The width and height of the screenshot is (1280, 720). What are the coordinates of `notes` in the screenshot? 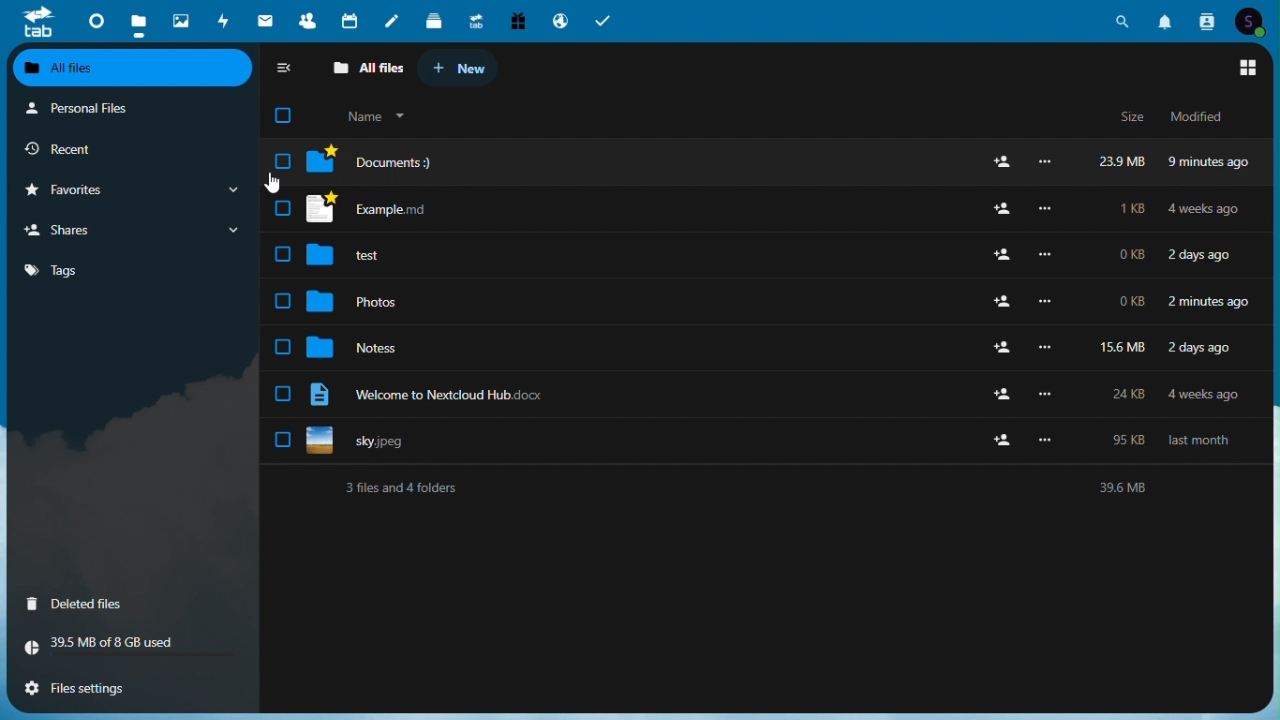 It's located at (396, 19).